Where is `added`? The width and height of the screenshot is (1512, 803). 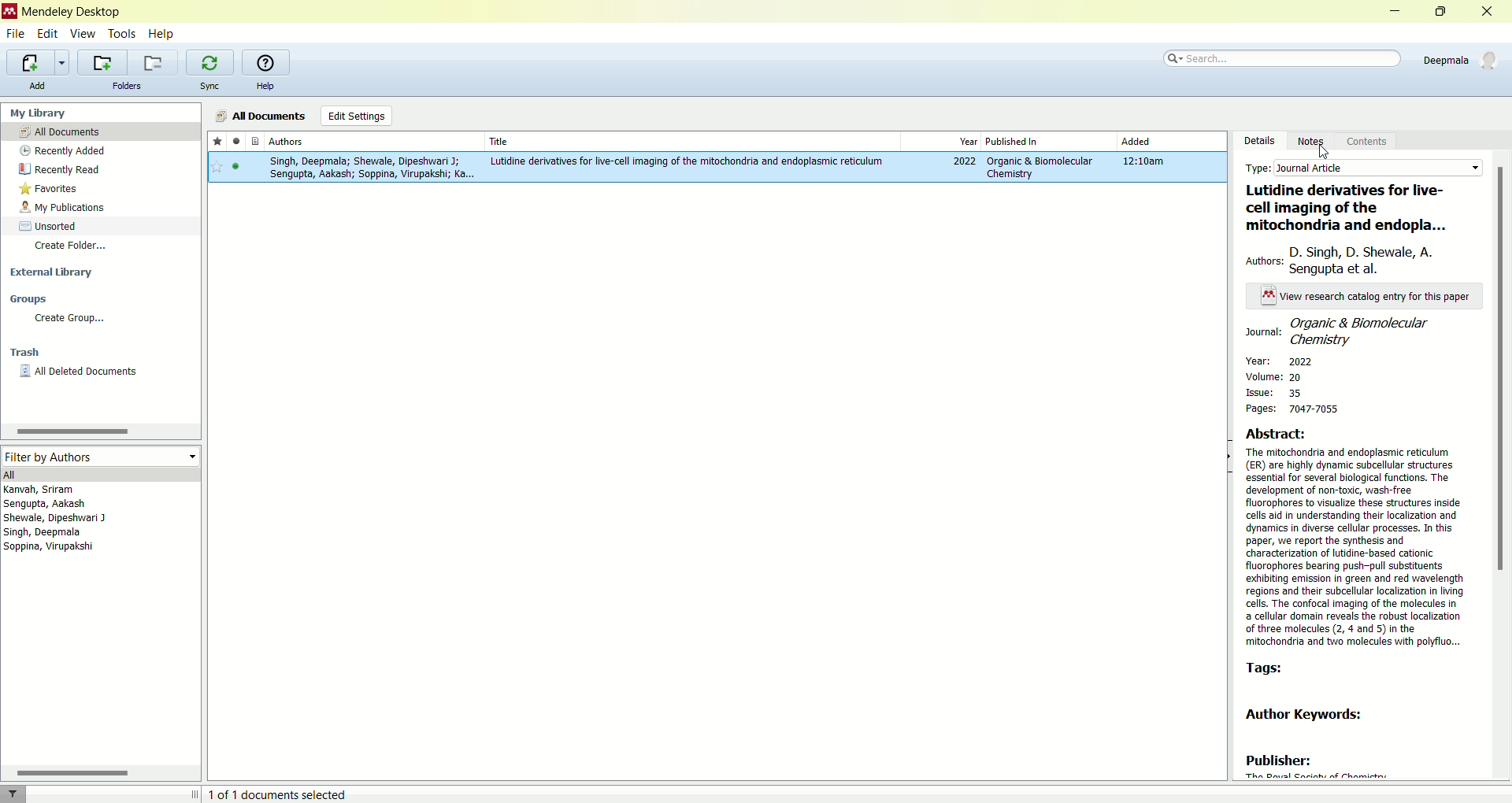
added is located at coordinates (1137, 142).